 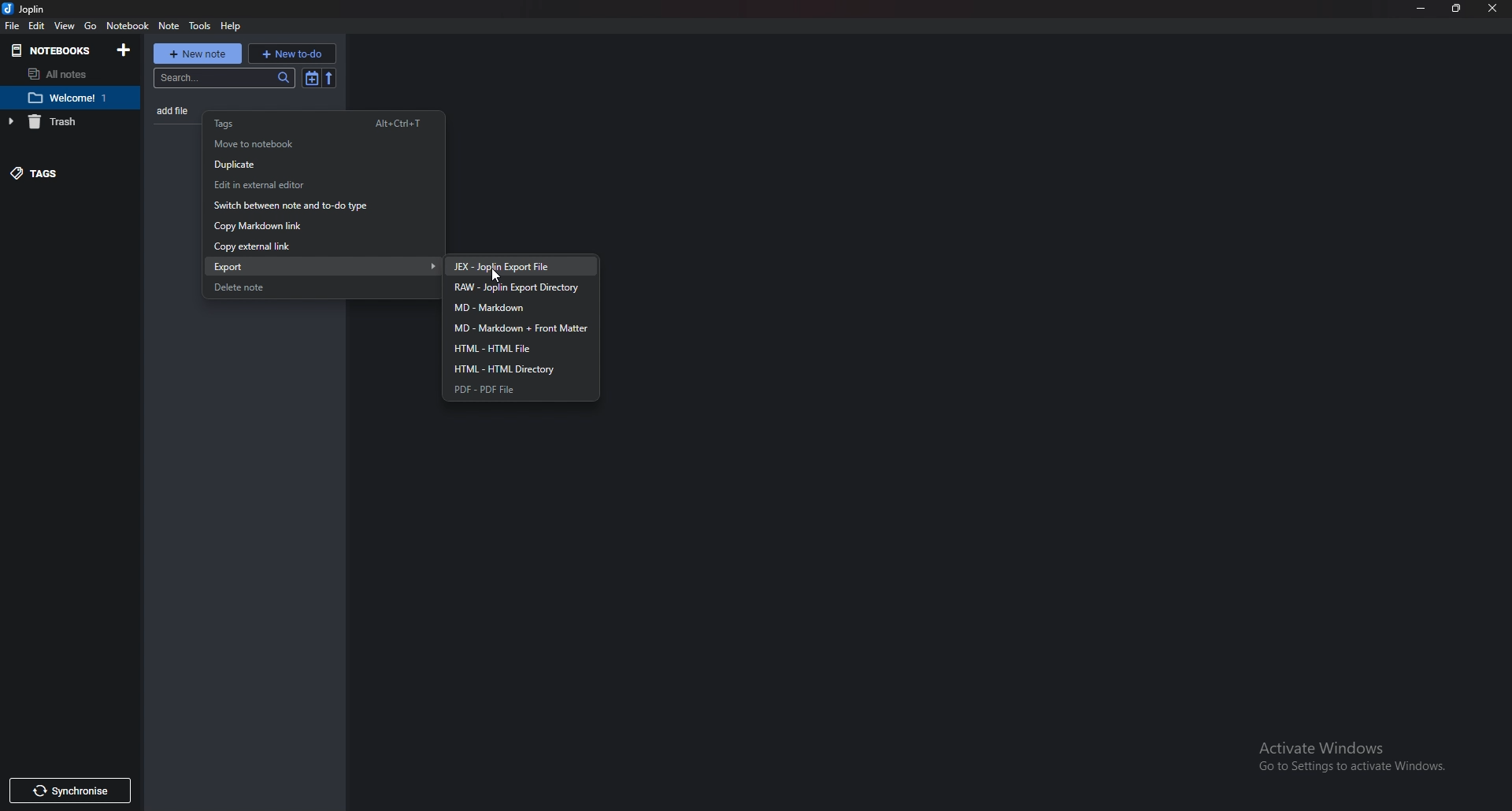 I want to click on Export, so click(x=328, y=265).